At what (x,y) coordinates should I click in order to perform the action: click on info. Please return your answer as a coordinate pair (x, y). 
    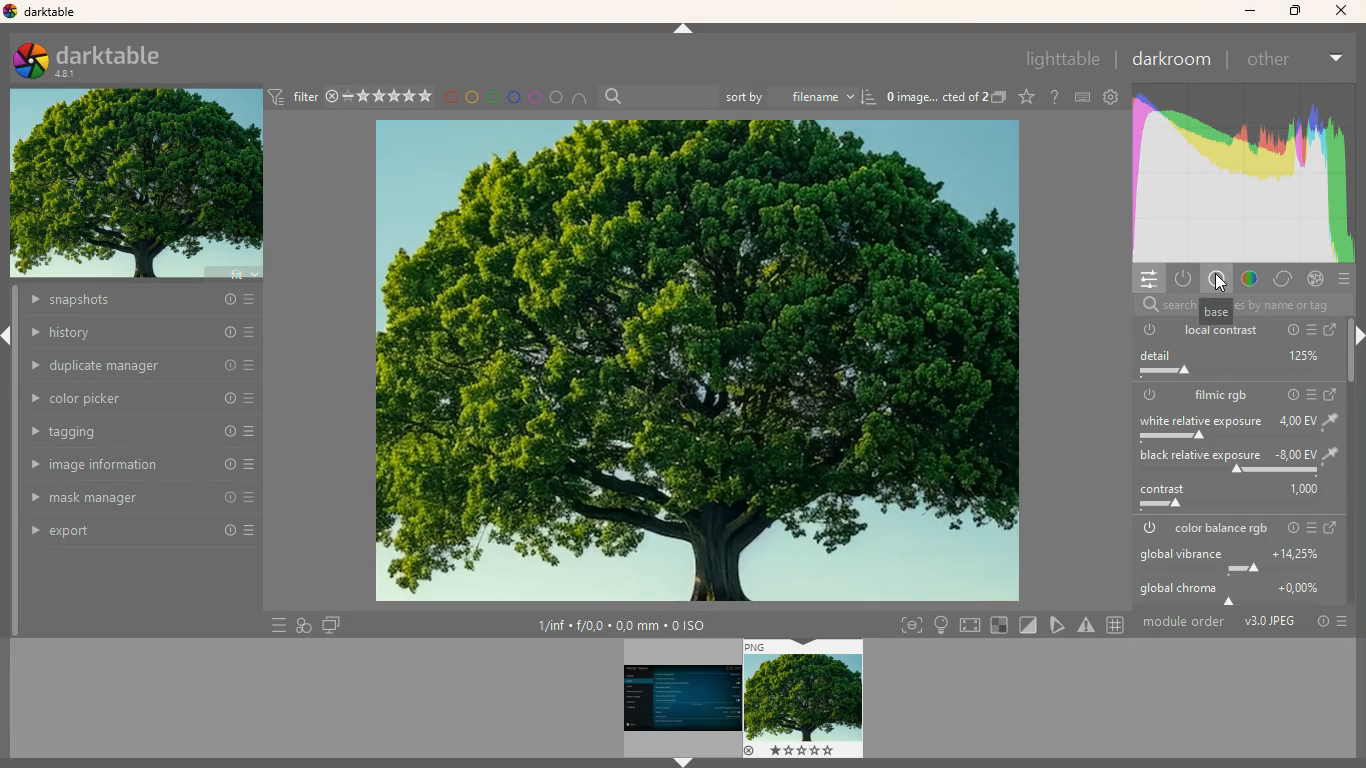
    Looking at the image, I should click on (1319, 624).